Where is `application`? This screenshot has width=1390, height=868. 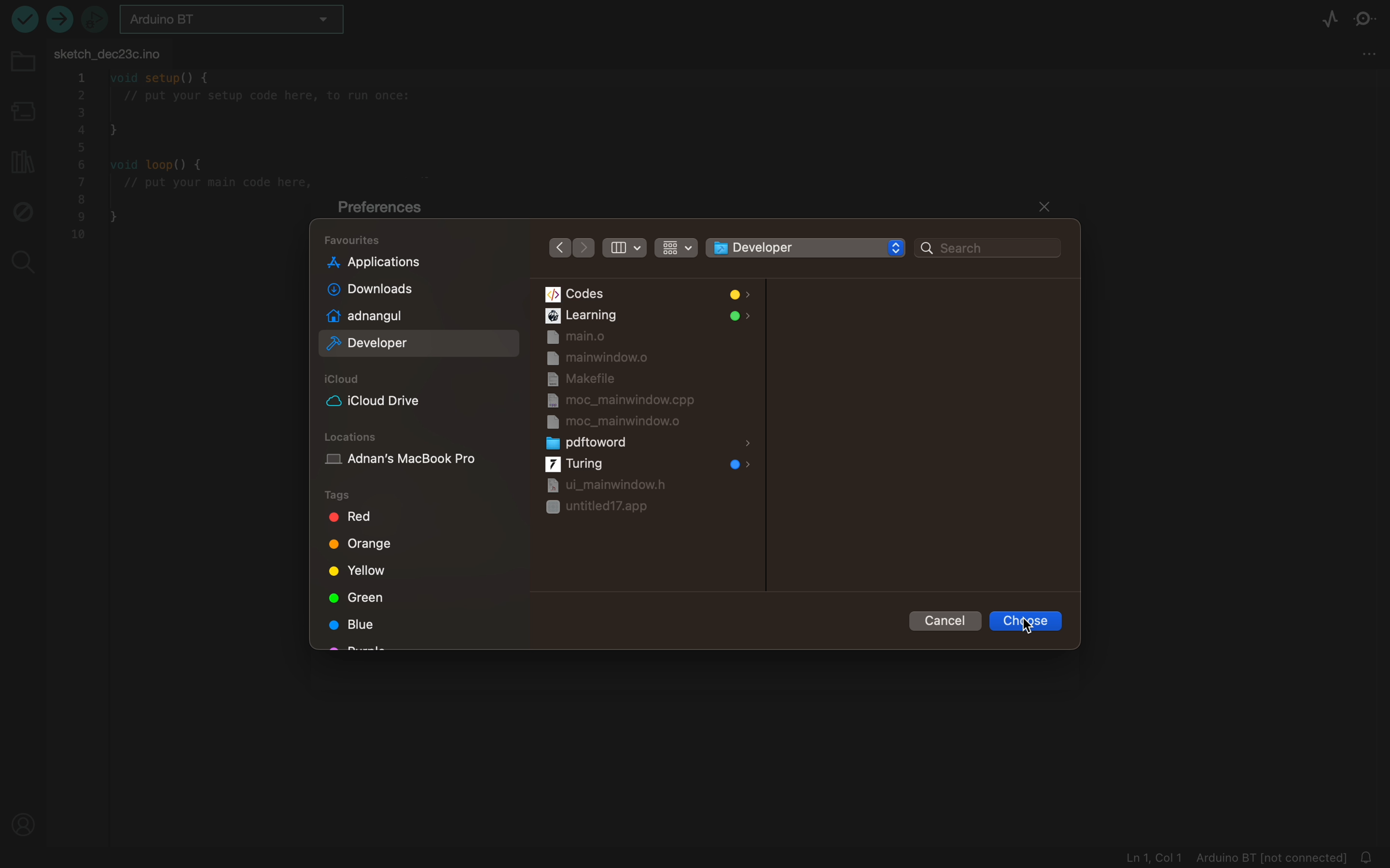
application is located at coordinates (376, 264).